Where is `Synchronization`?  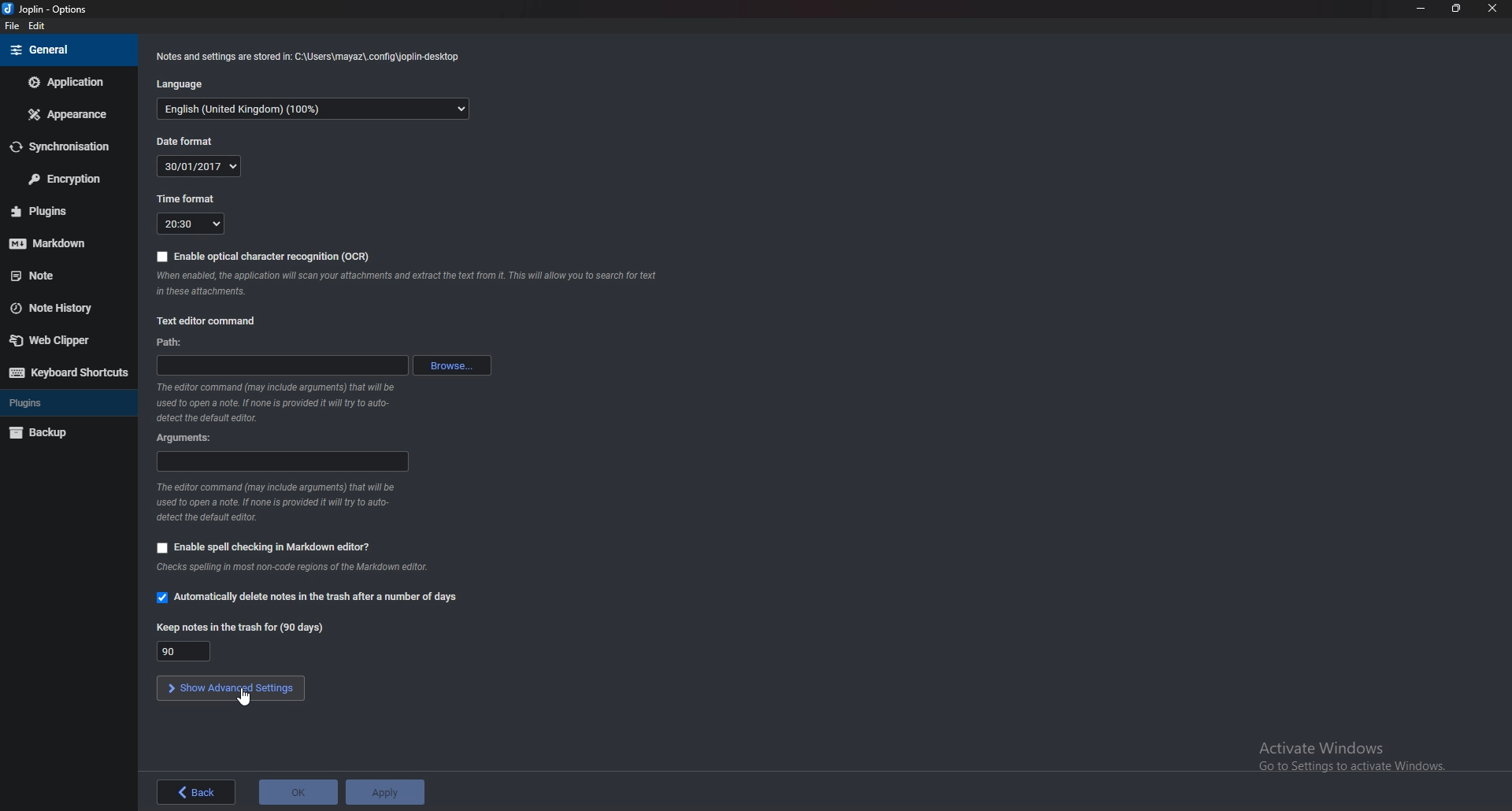 Synchronization is located at coordinates (66, 146).